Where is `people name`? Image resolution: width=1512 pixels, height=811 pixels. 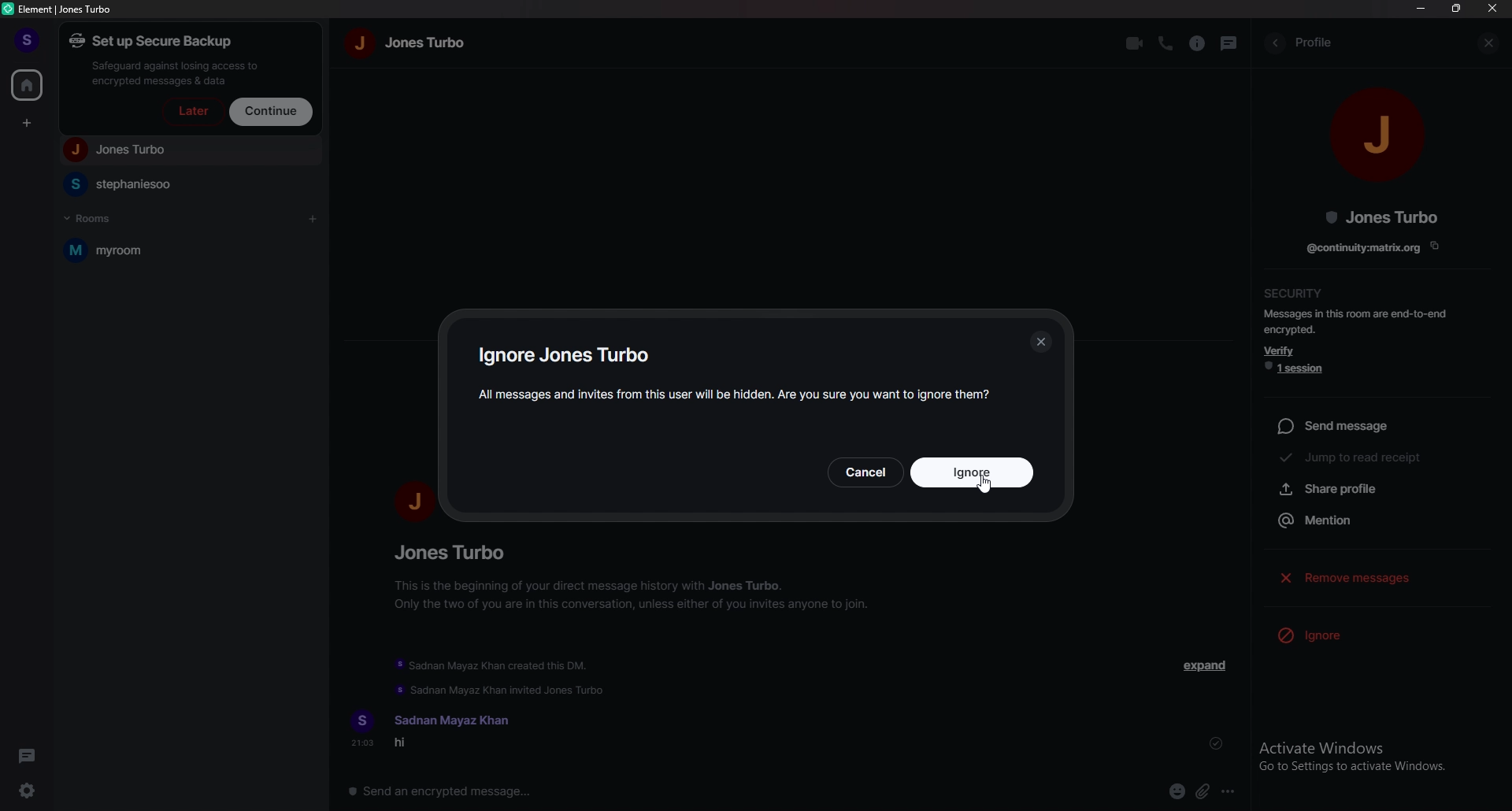 people name is located at coordinates (1383, 217).